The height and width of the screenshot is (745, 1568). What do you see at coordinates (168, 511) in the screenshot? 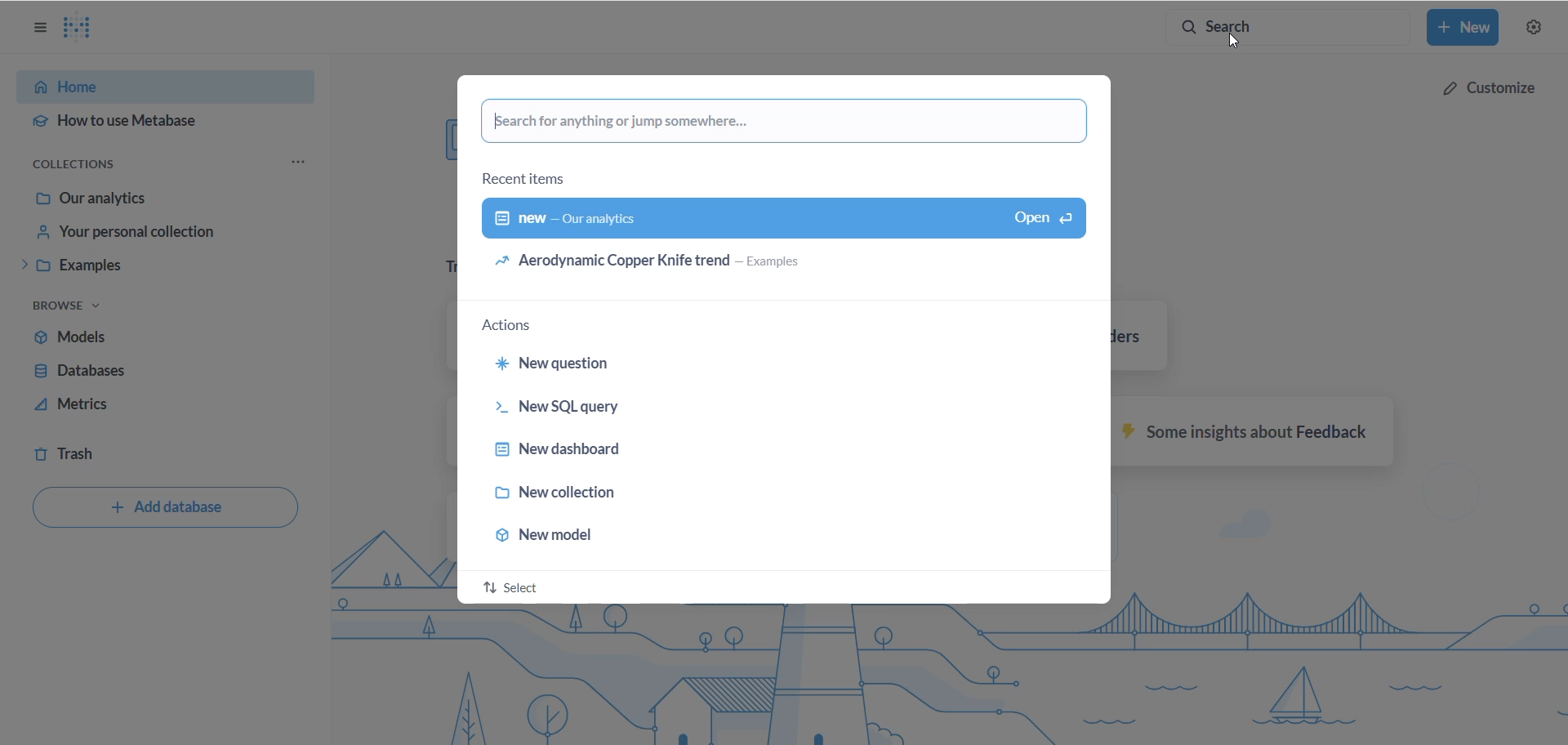
I see `add database` at bounding box center [168, 511].